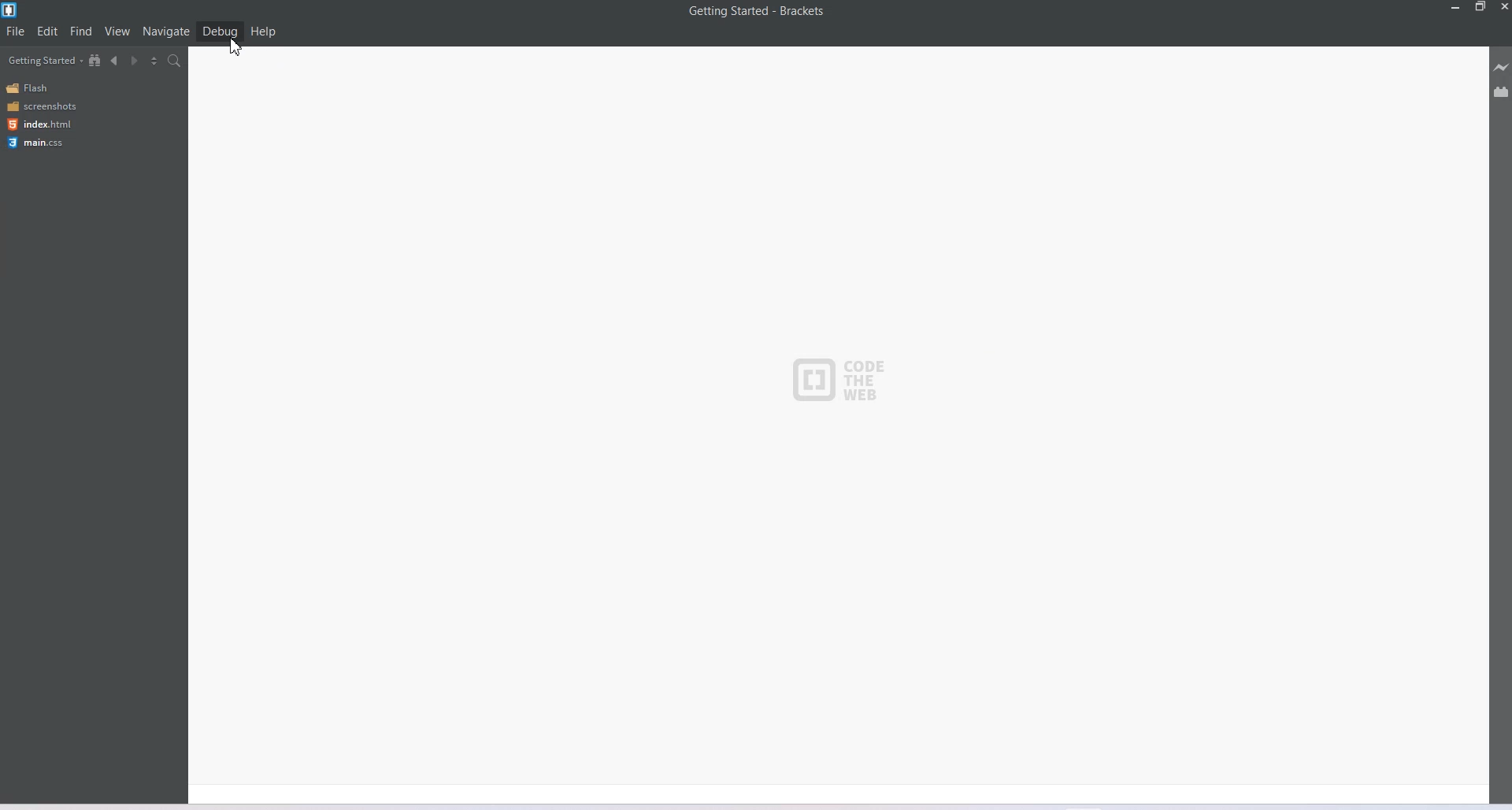 This screenshot has width=1512, height=810. Describe the element at coordinates (117, 30) in the screenshot. I see `View` at that location.